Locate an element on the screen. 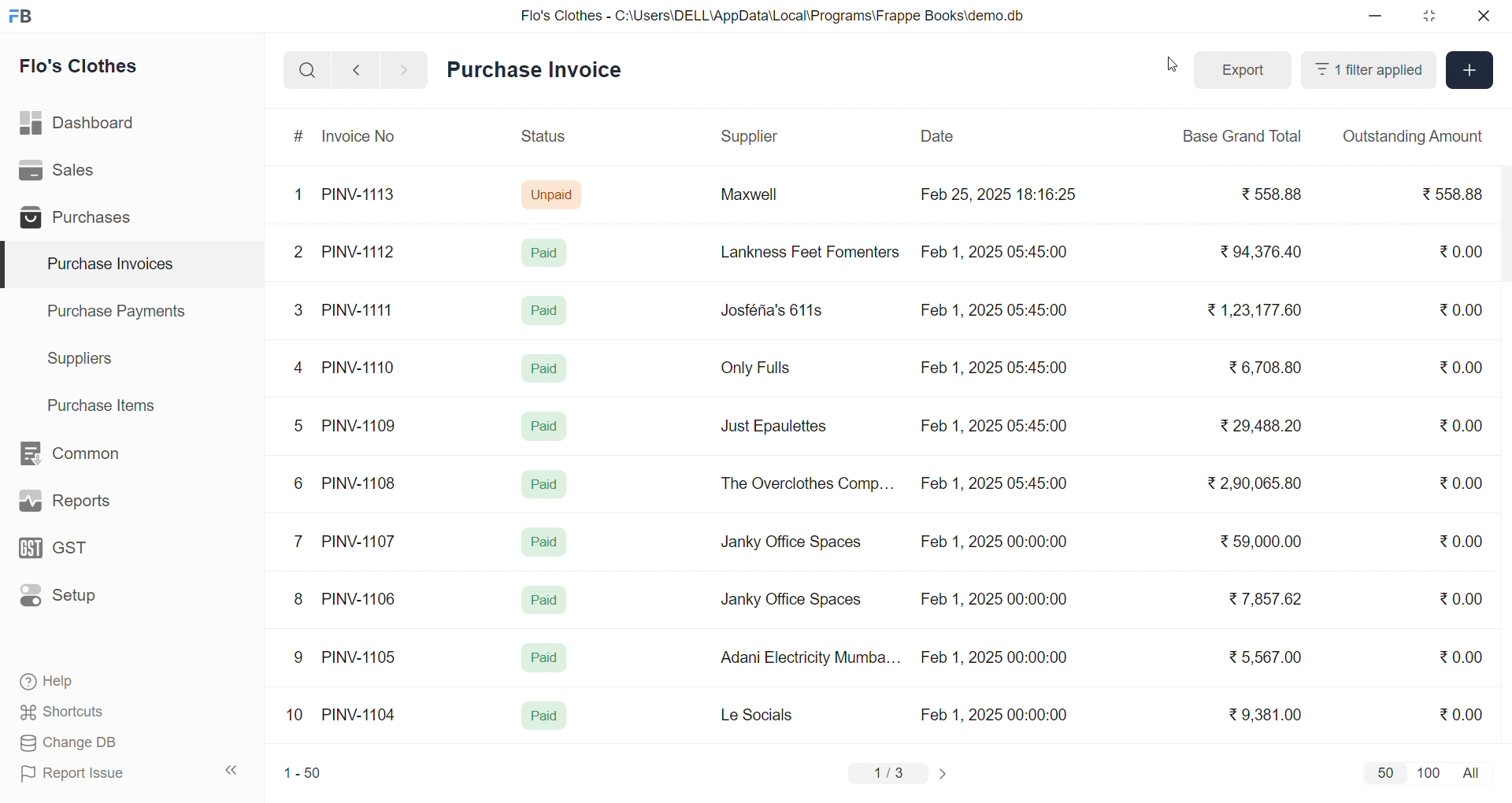 The image size is (1512, 803). ₹1,23,177.60 is located at coordinates (1252, 309).